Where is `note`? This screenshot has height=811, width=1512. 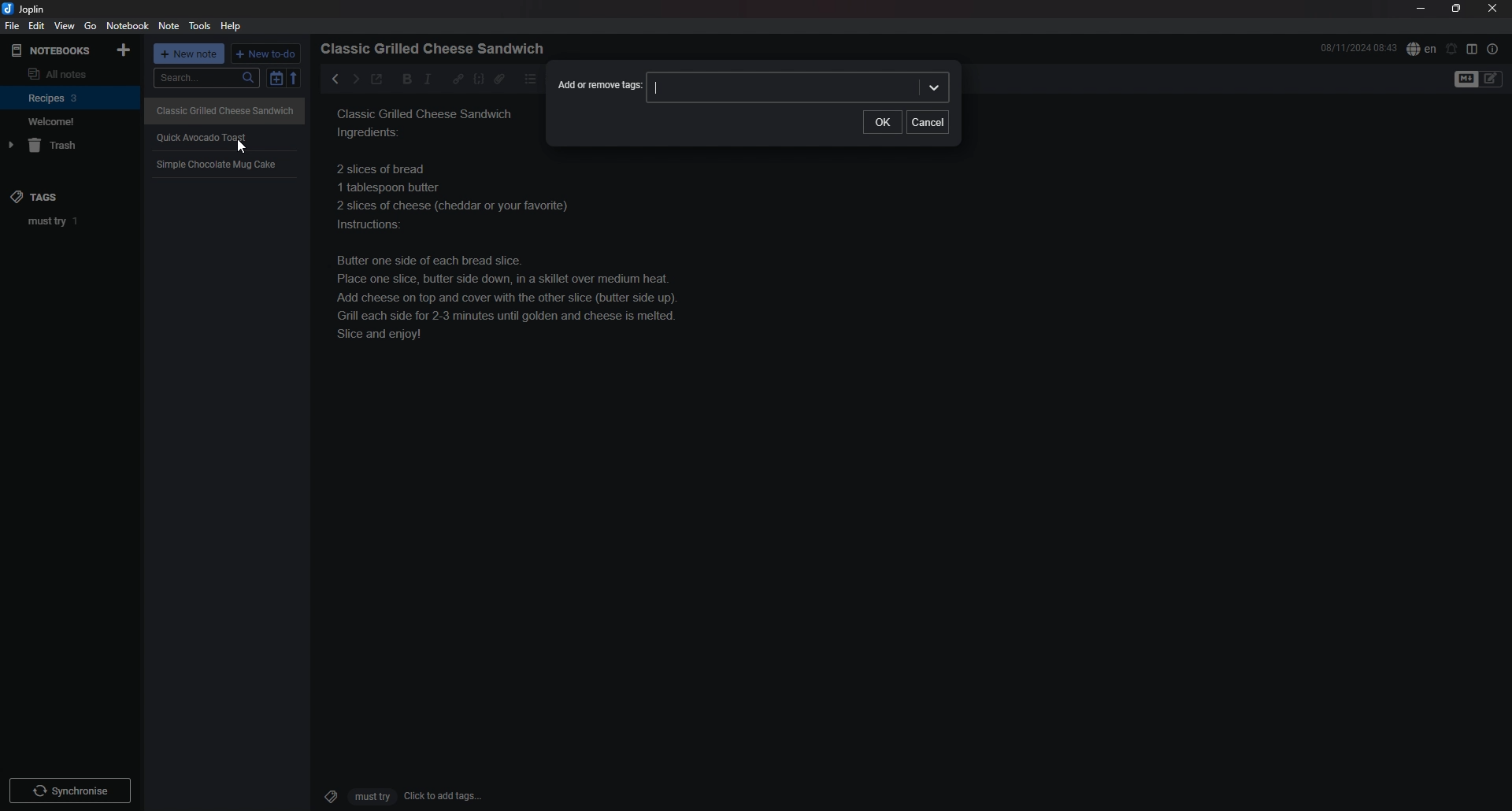 note is located at coordinates (169, 27).